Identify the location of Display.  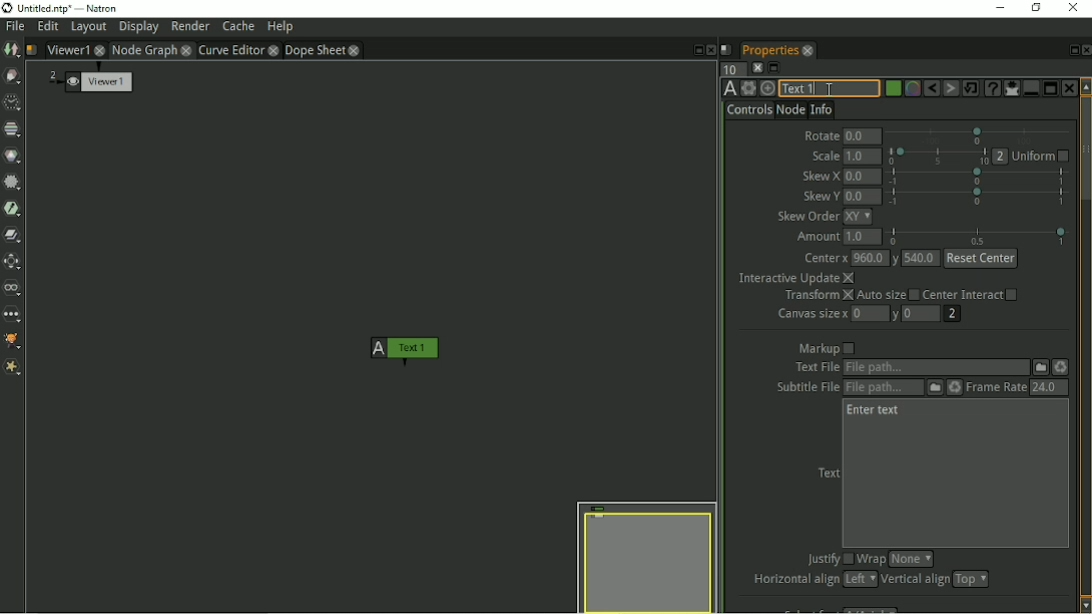
(139, 27).